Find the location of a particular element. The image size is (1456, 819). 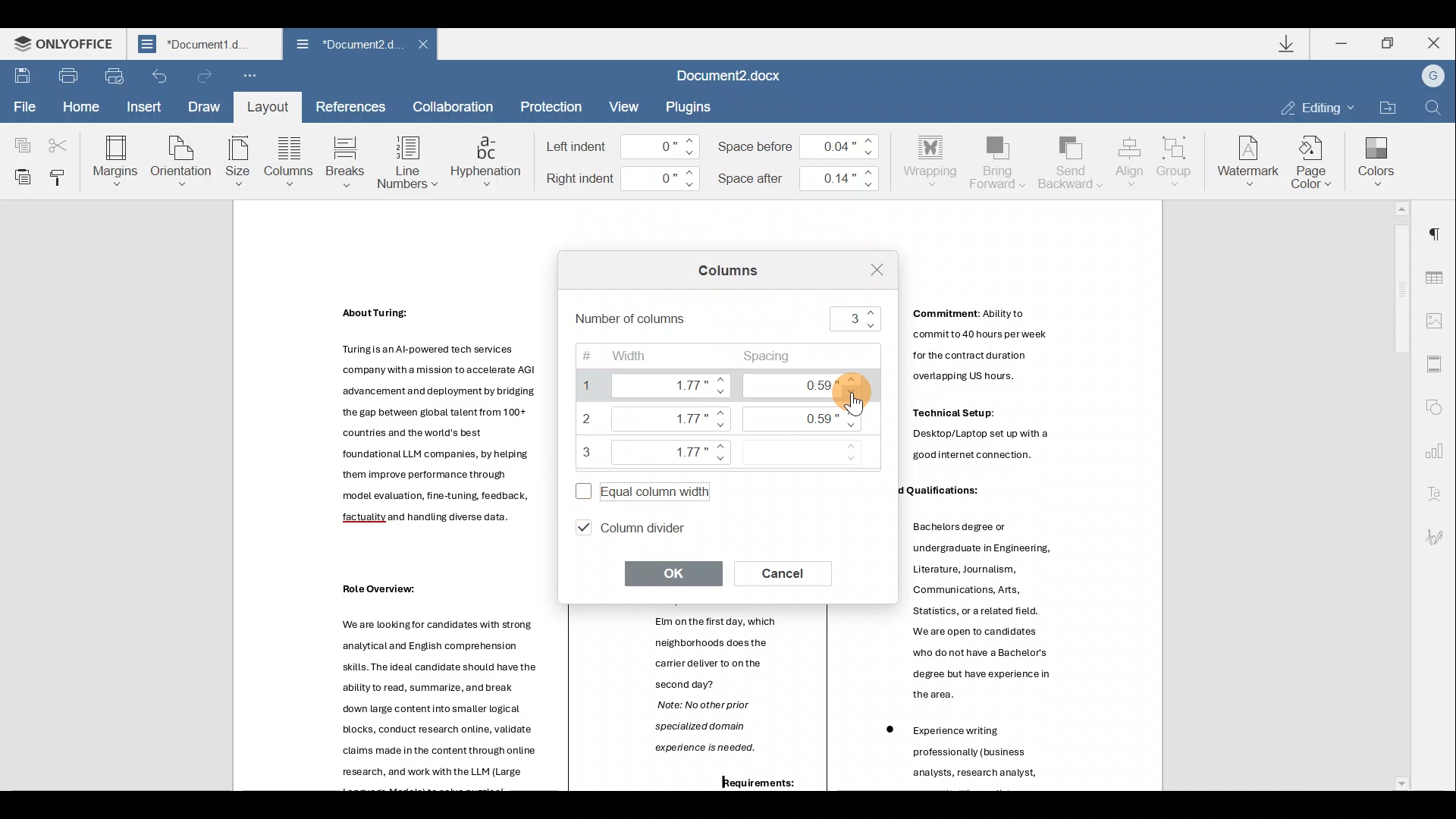

Paste is located at coordinates (19, 175).